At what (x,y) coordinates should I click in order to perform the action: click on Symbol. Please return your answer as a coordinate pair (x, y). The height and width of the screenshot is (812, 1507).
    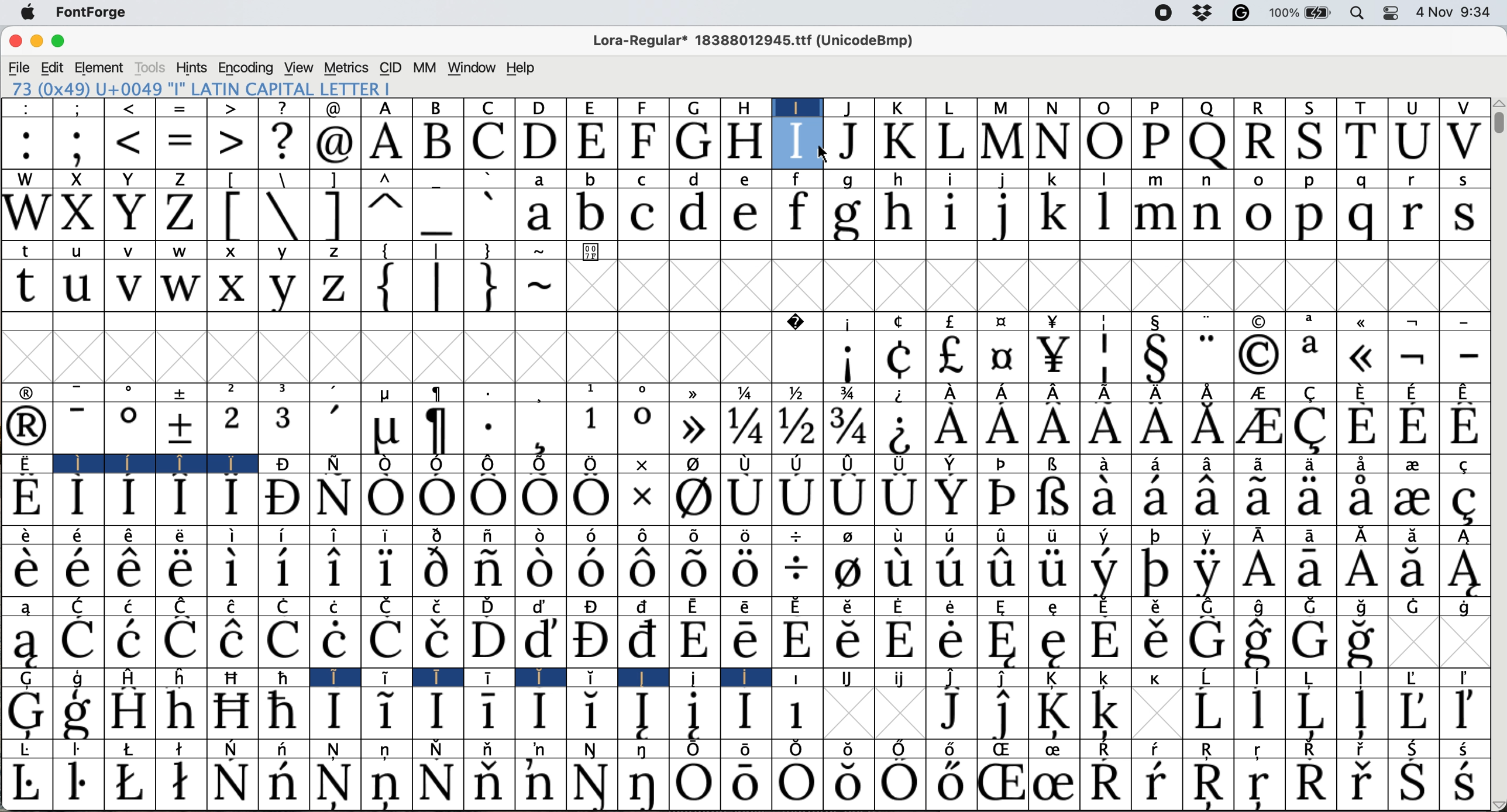
    Looking at the image, I should click on (387, 751).